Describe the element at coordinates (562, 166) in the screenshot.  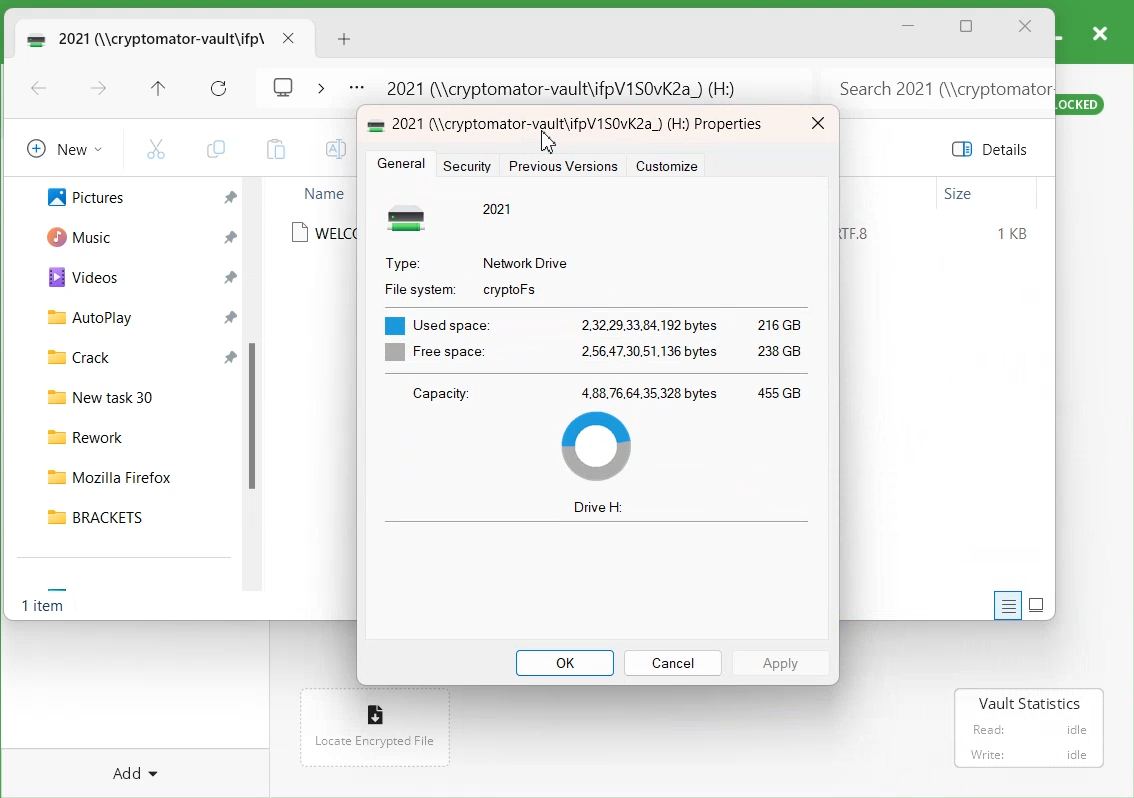
I see `Previous Versions` at that location.